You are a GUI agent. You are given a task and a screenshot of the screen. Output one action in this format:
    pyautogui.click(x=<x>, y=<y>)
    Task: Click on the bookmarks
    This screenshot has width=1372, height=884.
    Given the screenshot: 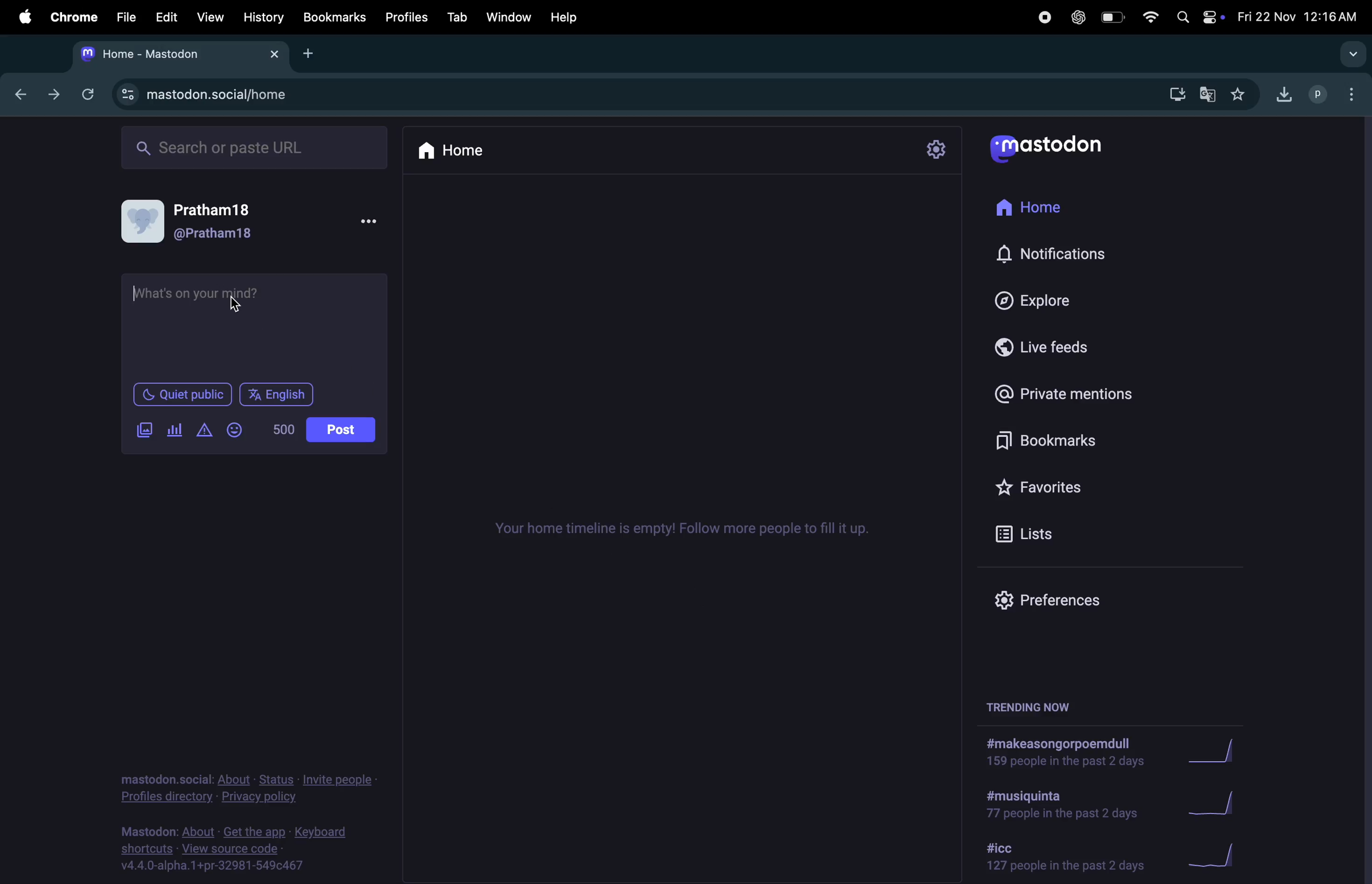 What is the action you would take?
    pyautogui.click(x=335, y=17)
    